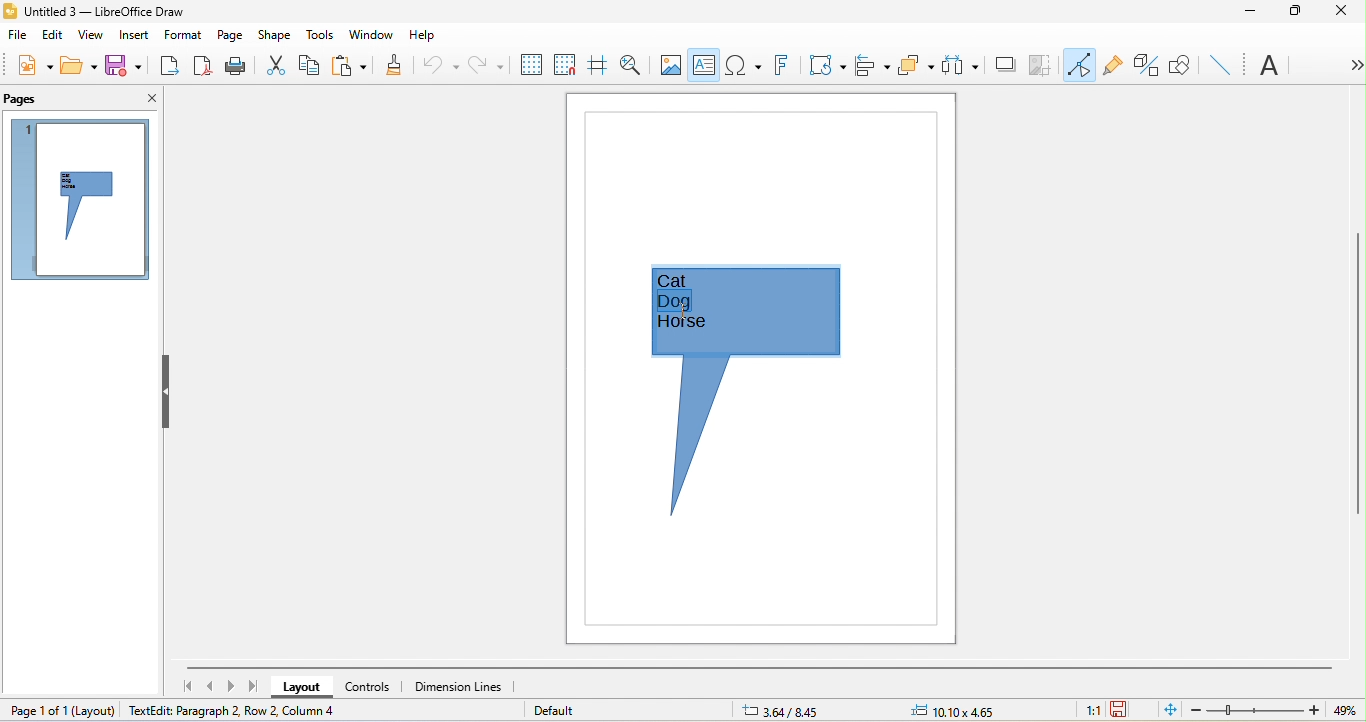 This screenshot has width=1366, height=722. I want to click on page, so click(230, 32).